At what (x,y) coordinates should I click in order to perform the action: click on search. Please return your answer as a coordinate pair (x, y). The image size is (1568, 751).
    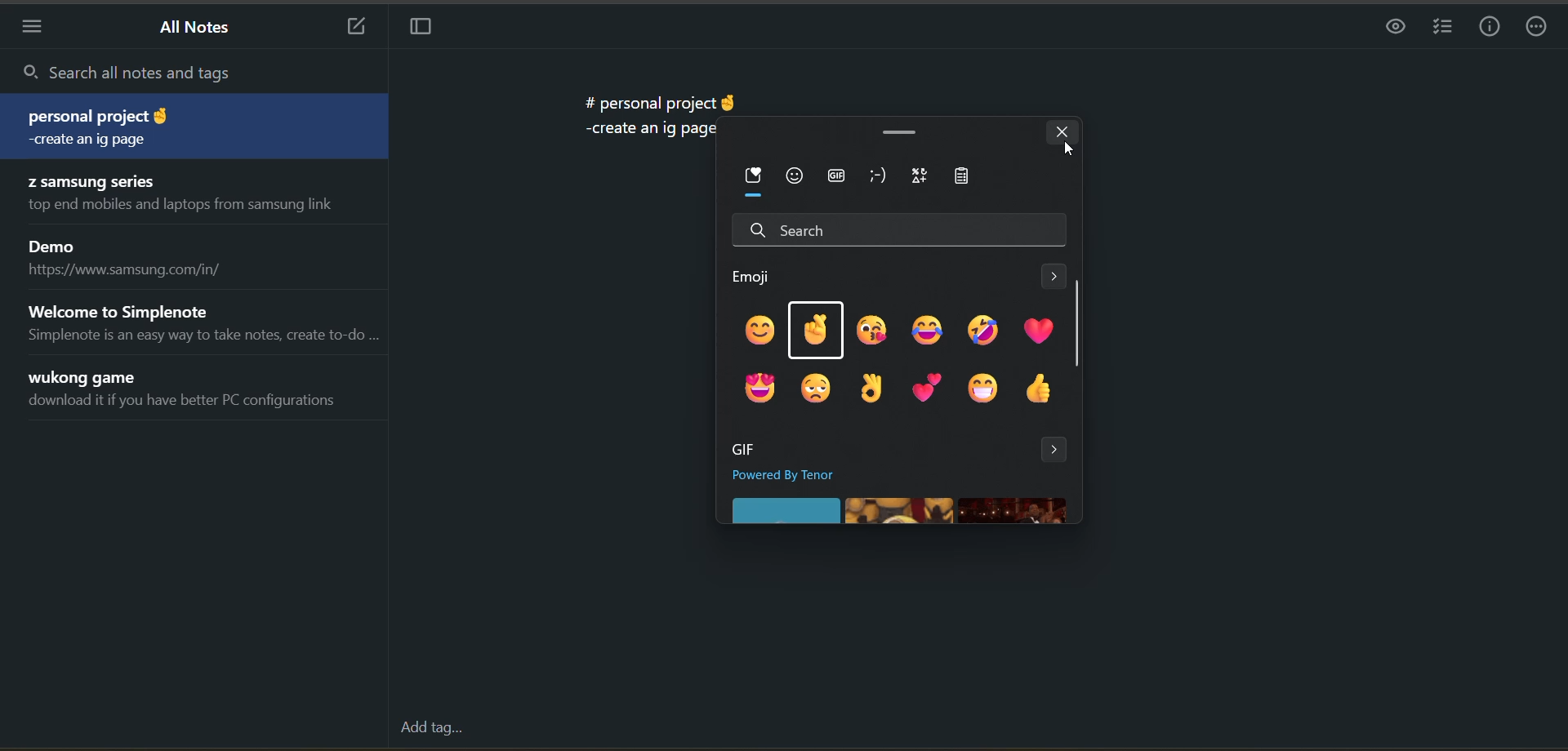
    Looking at the image, I should click on (191, 71).